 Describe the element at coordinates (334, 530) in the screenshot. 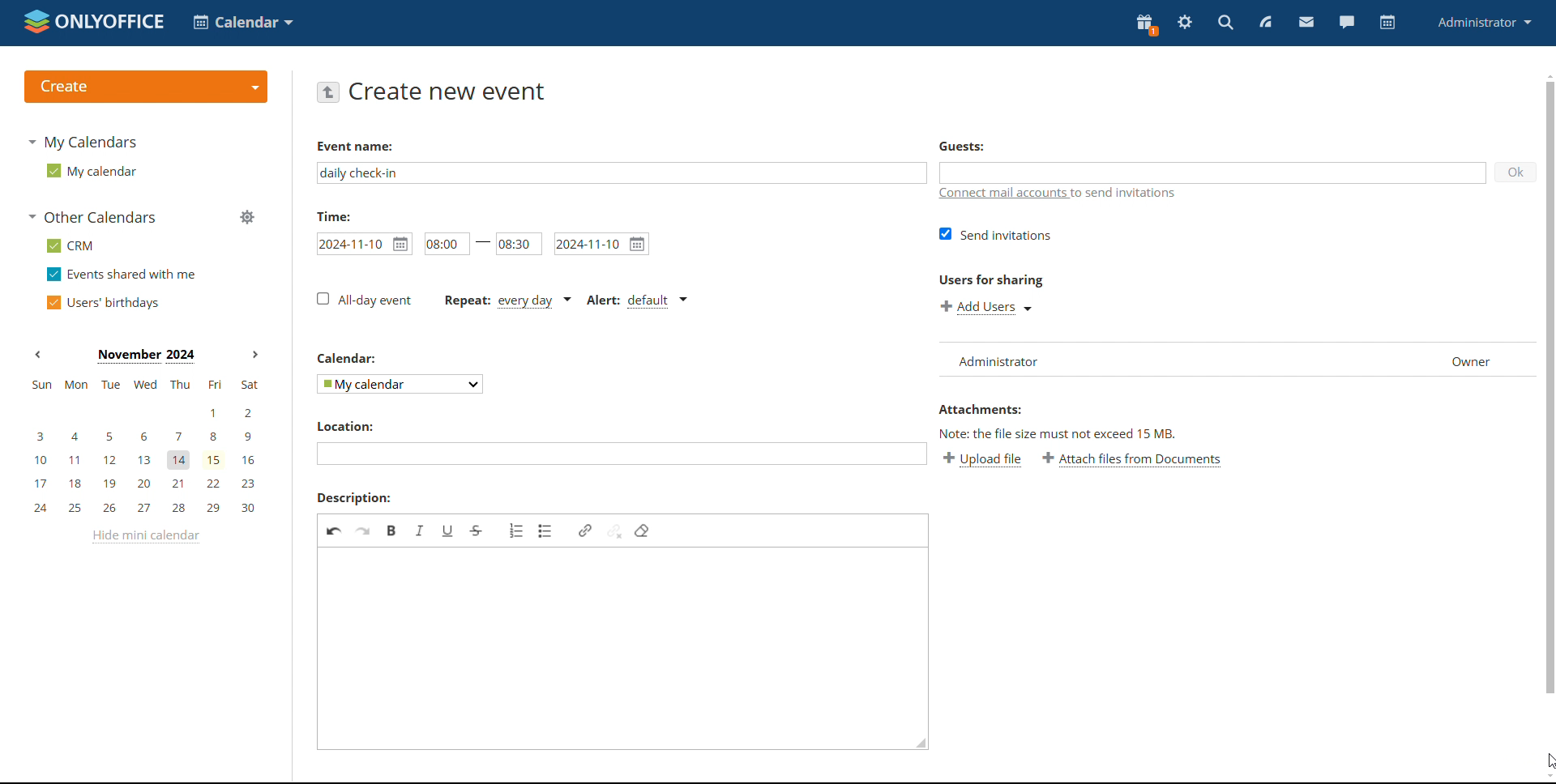

I see `undo` at that location.